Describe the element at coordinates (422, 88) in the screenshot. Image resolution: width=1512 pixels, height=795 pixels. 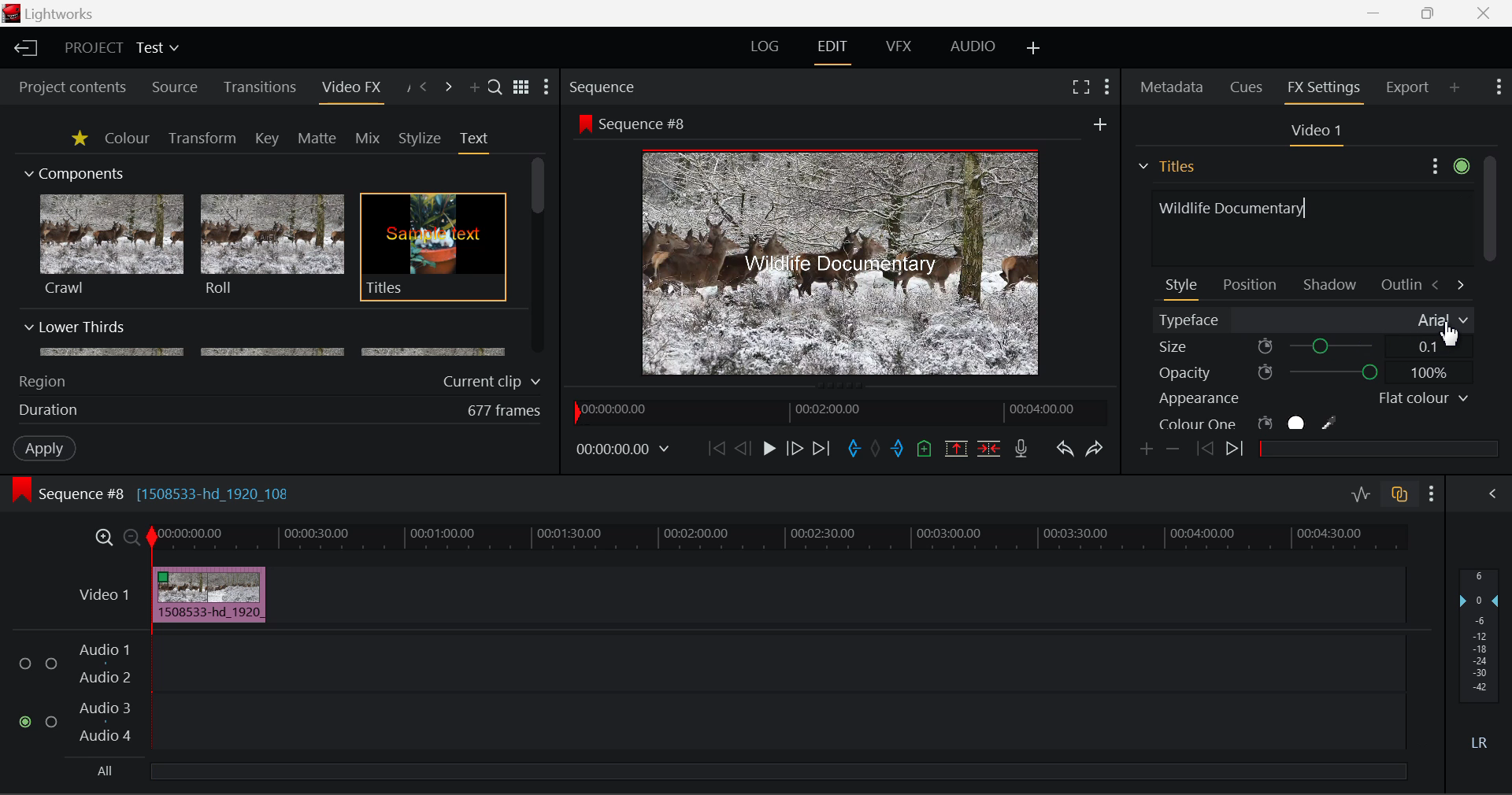
I see `Previous Panel` at that location.